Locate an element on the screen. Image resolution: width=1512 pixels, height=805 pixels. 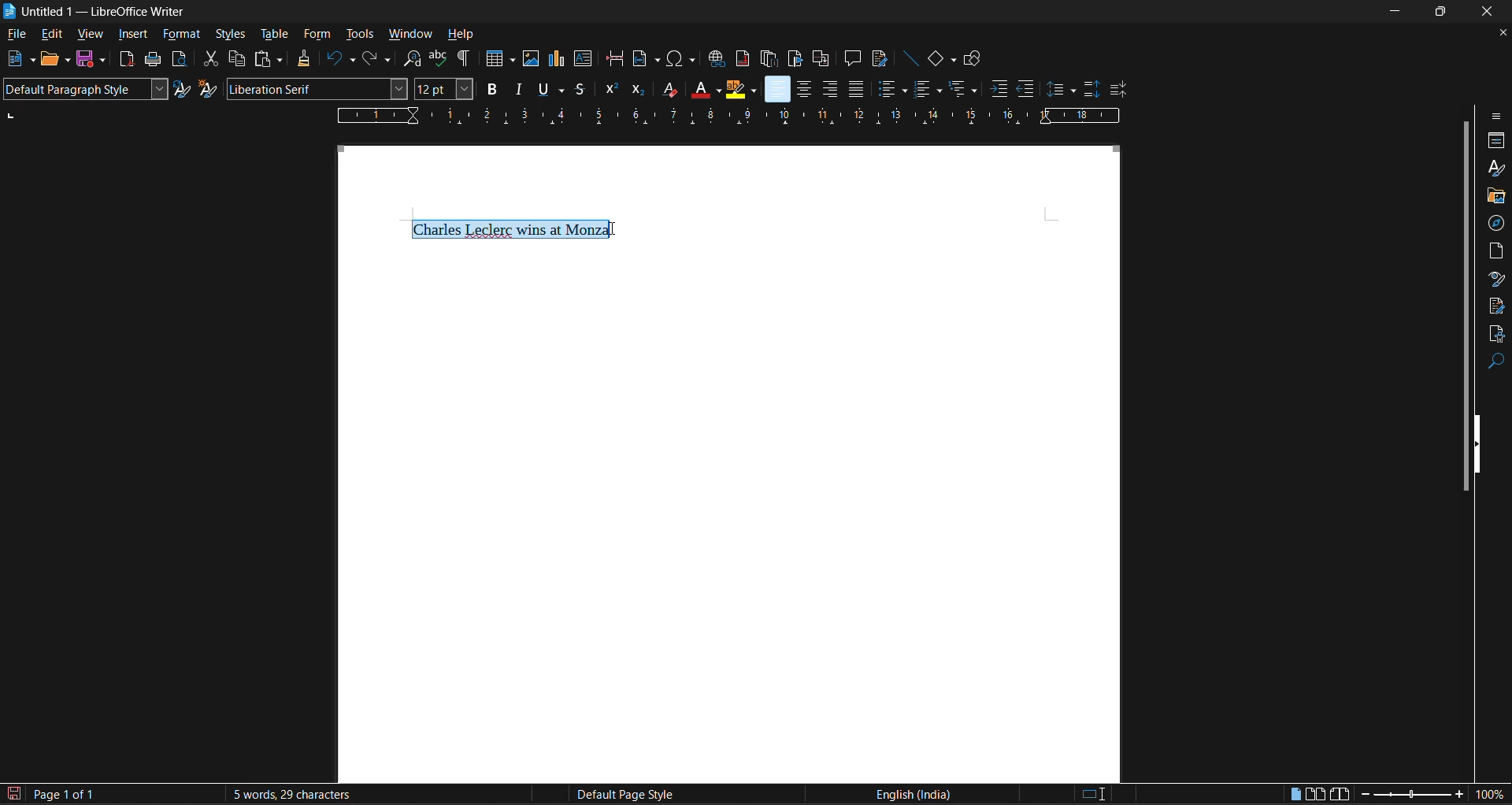
character highlighting yellow is located at coordinates (741, 90).